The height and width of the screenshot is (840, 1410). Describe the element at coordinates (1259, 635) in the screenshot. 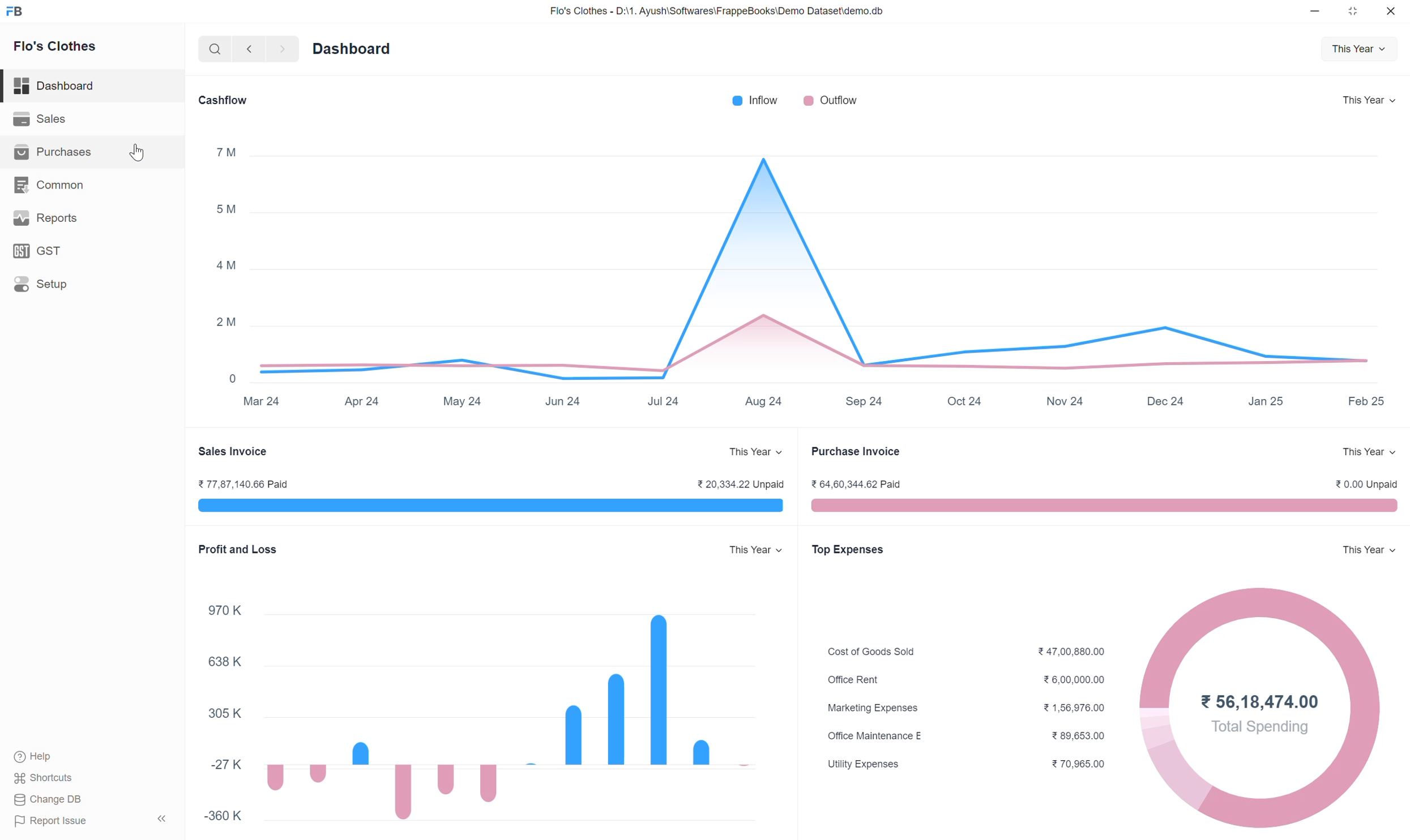

I see `Total spending graph` at that location.